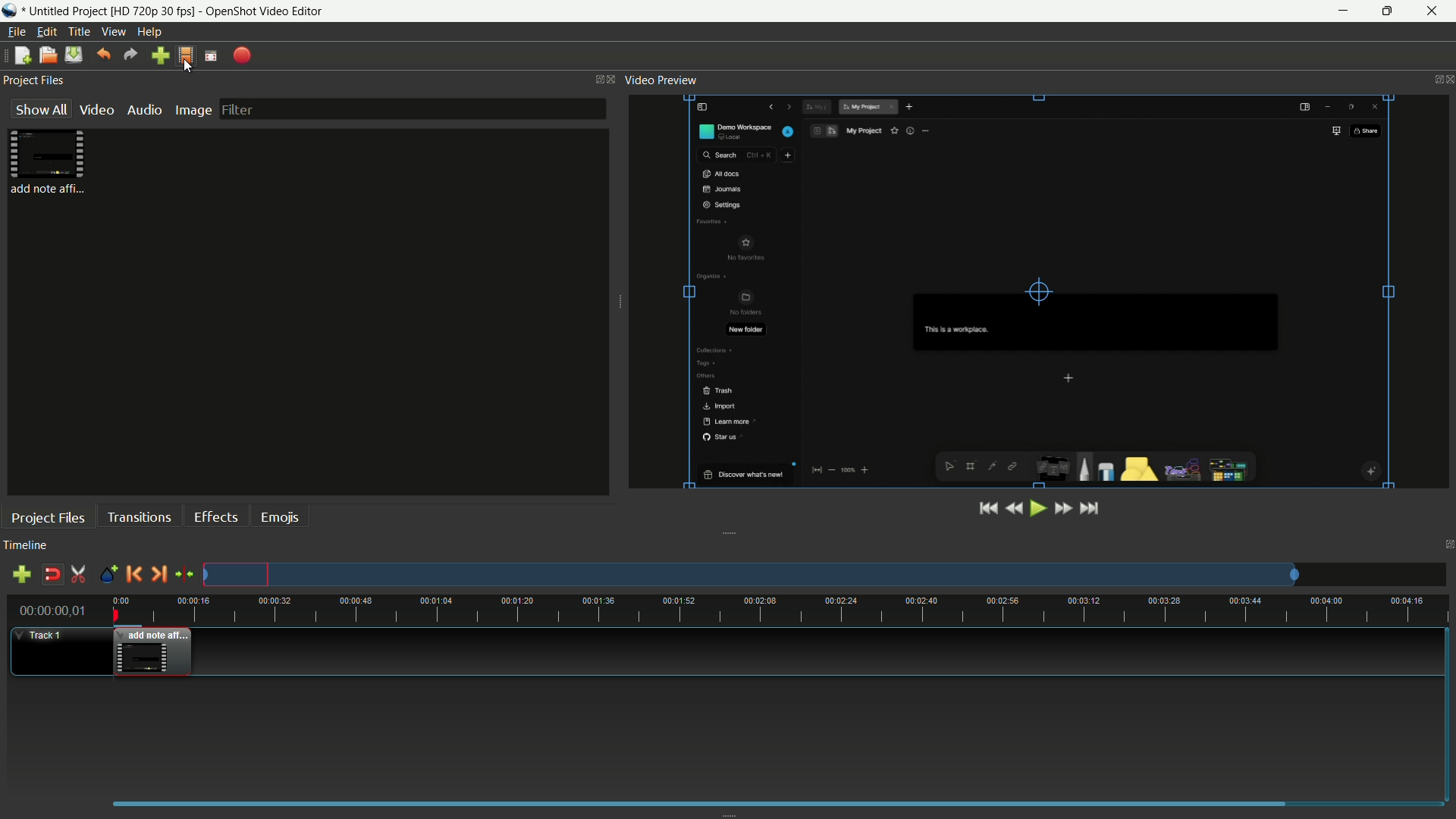  I want to click on new file, so click(22, 55).